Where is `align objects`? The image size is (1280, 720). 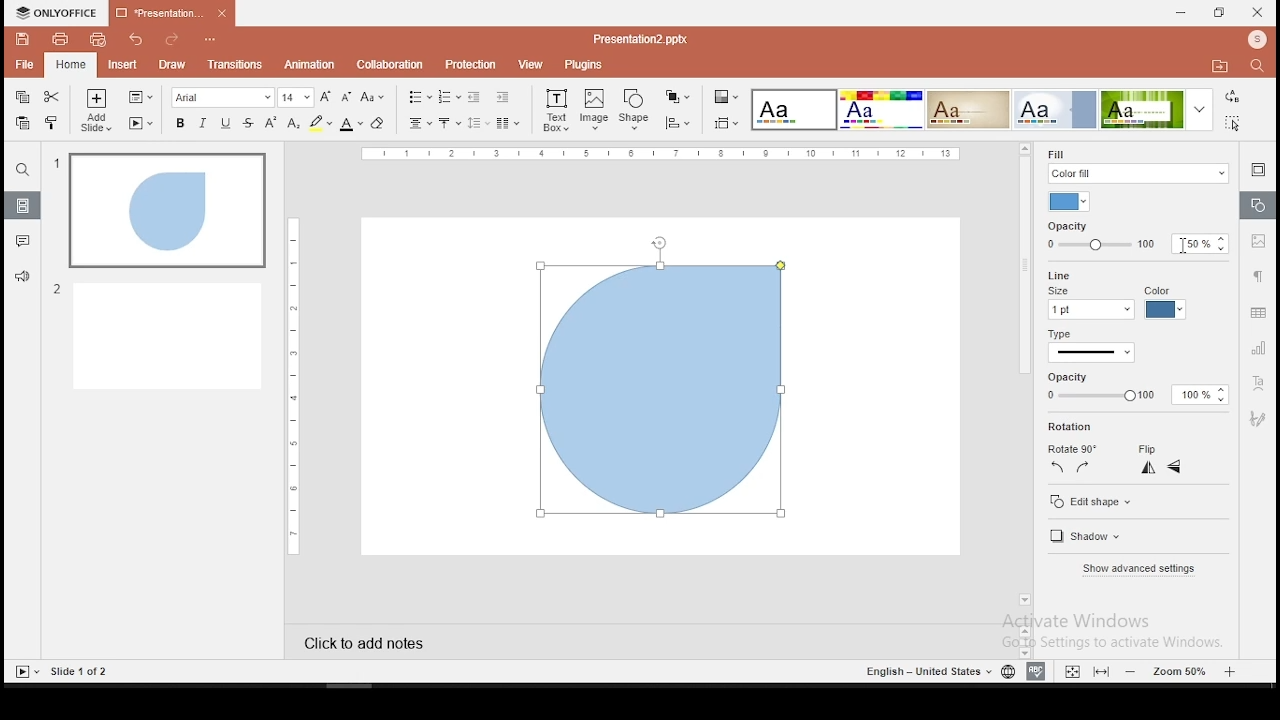 align objects is located at coordinates (677, 123).